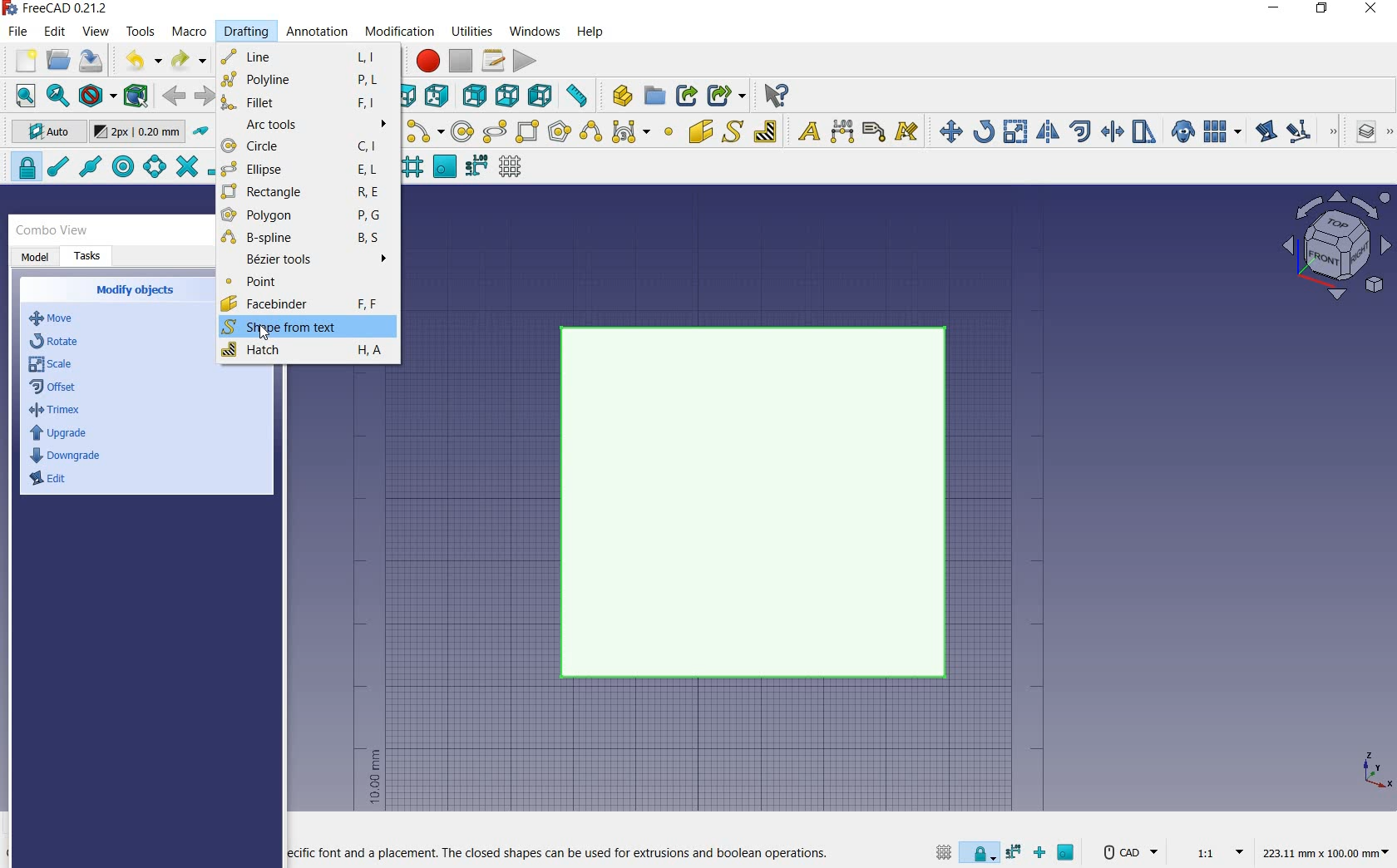  I want to click on top, so click(411, 95).